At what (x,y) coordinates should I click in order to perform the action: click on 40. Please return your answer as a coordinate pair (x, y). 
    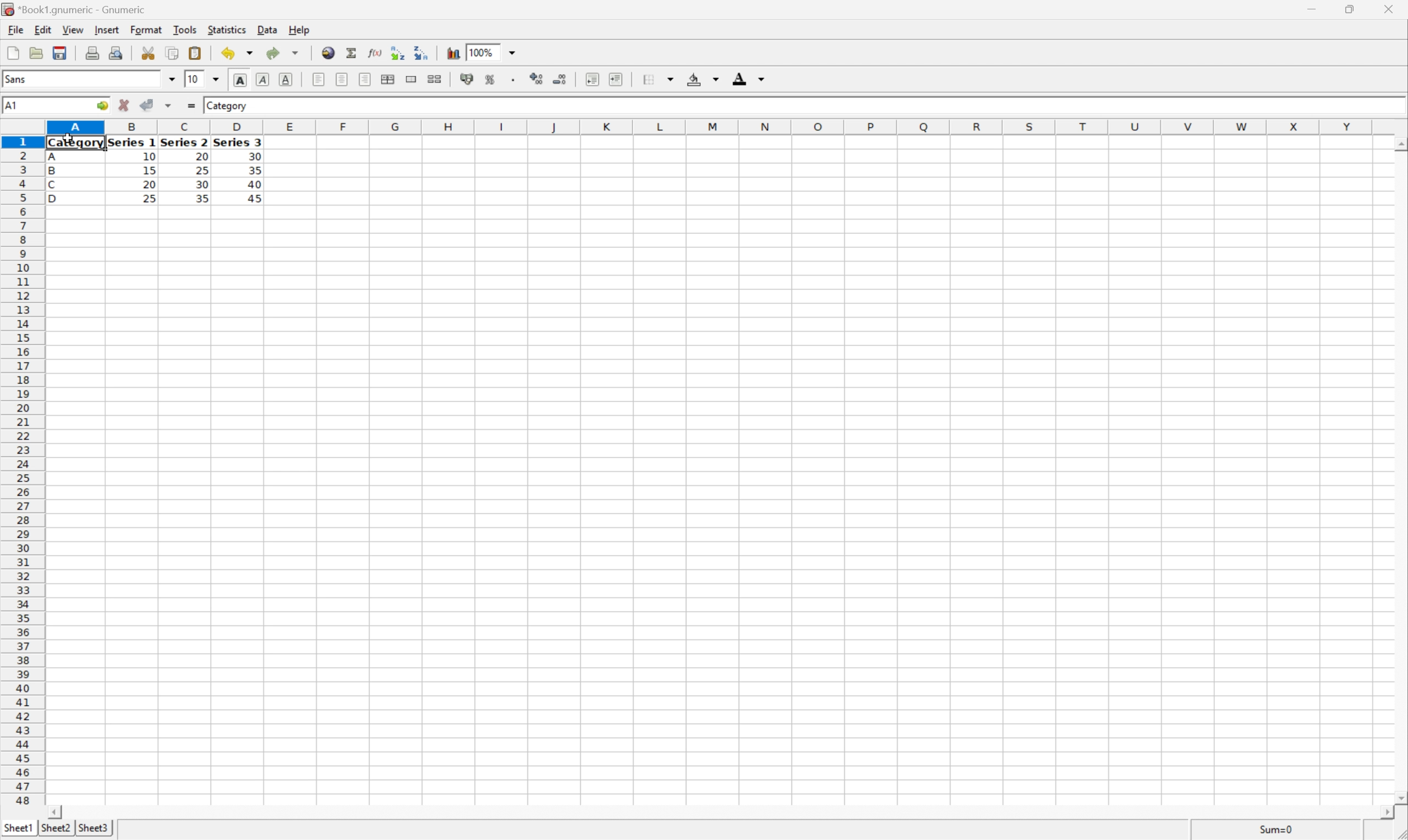
    Looking at the image, I should click on (255, 182).